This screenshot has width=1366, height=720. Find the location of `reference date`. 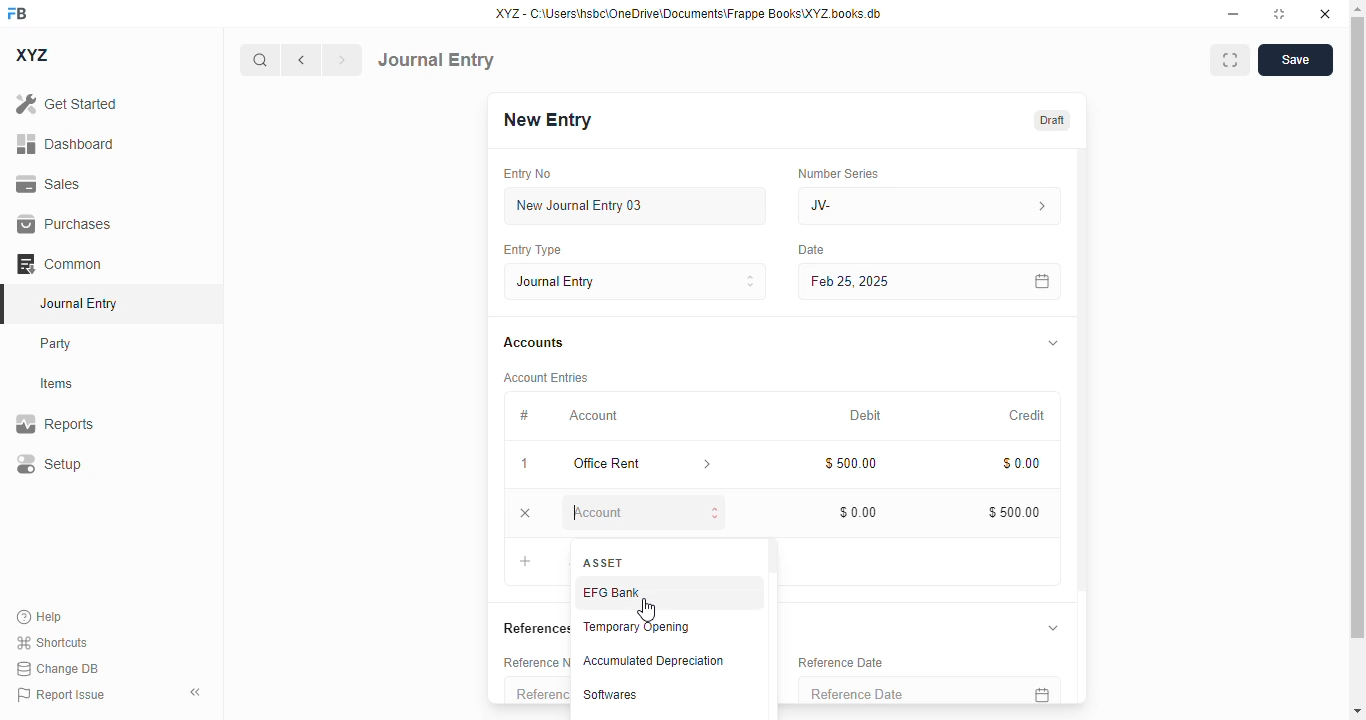

reference date is located at coordinates (890, 690).